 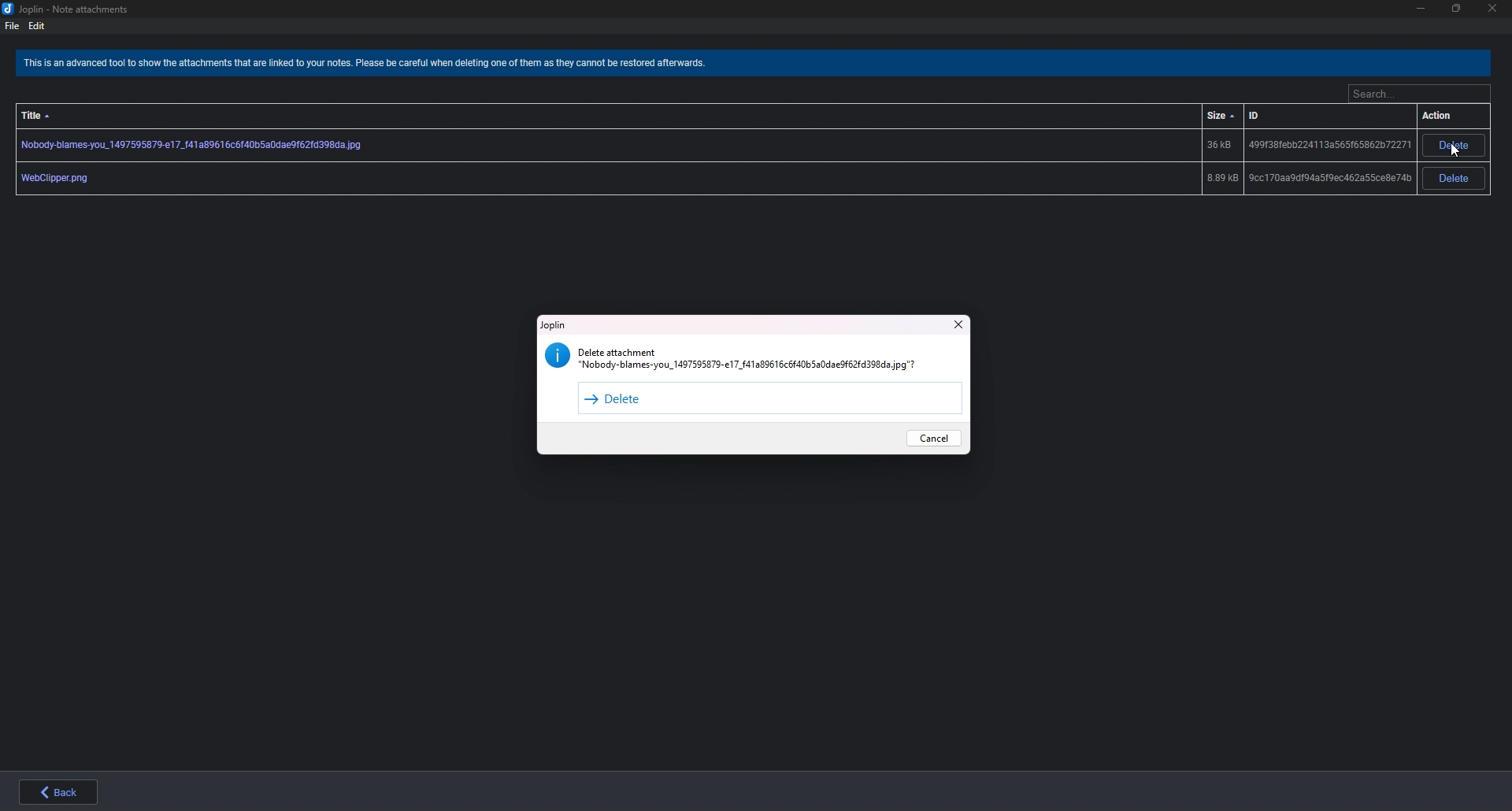 What do you see at coordinates (372, 65) in the screenshot?
I see `warning` at bounding box center [372, 65].